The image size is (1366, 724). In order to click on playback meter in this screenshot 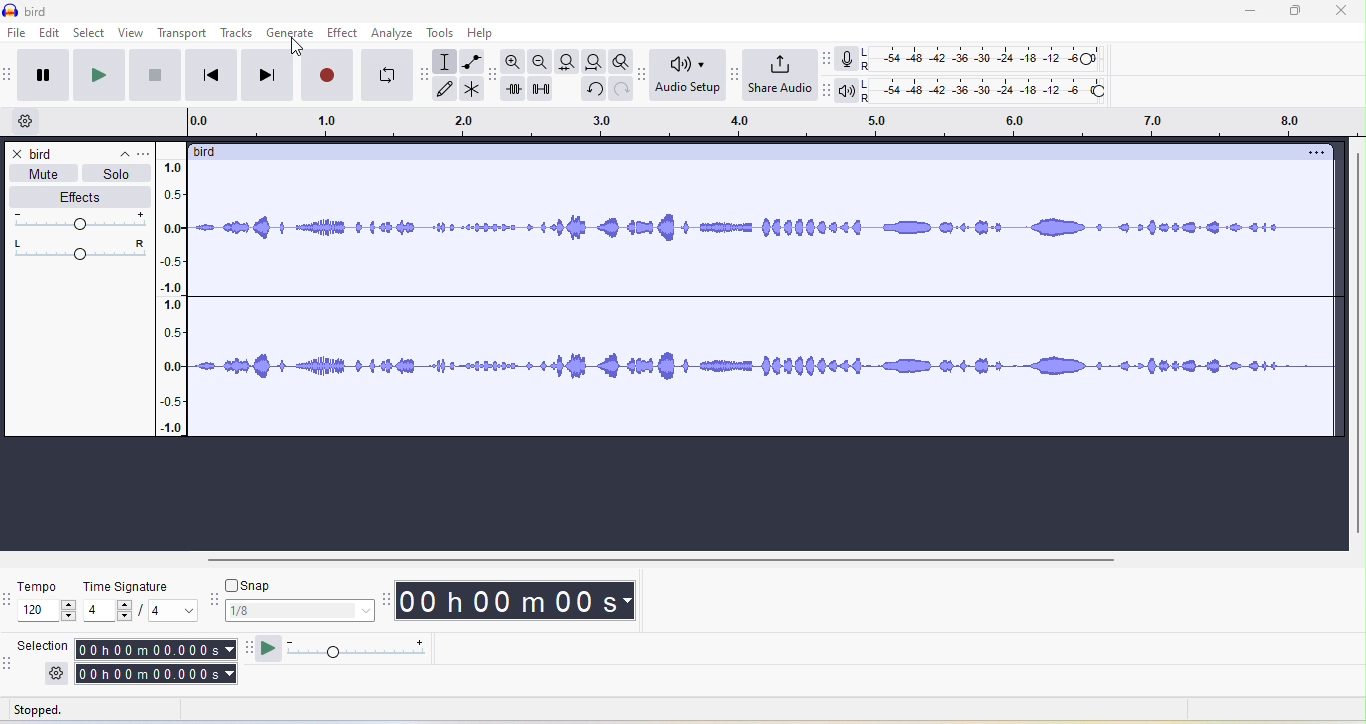, I will do `click(850, 93)`.